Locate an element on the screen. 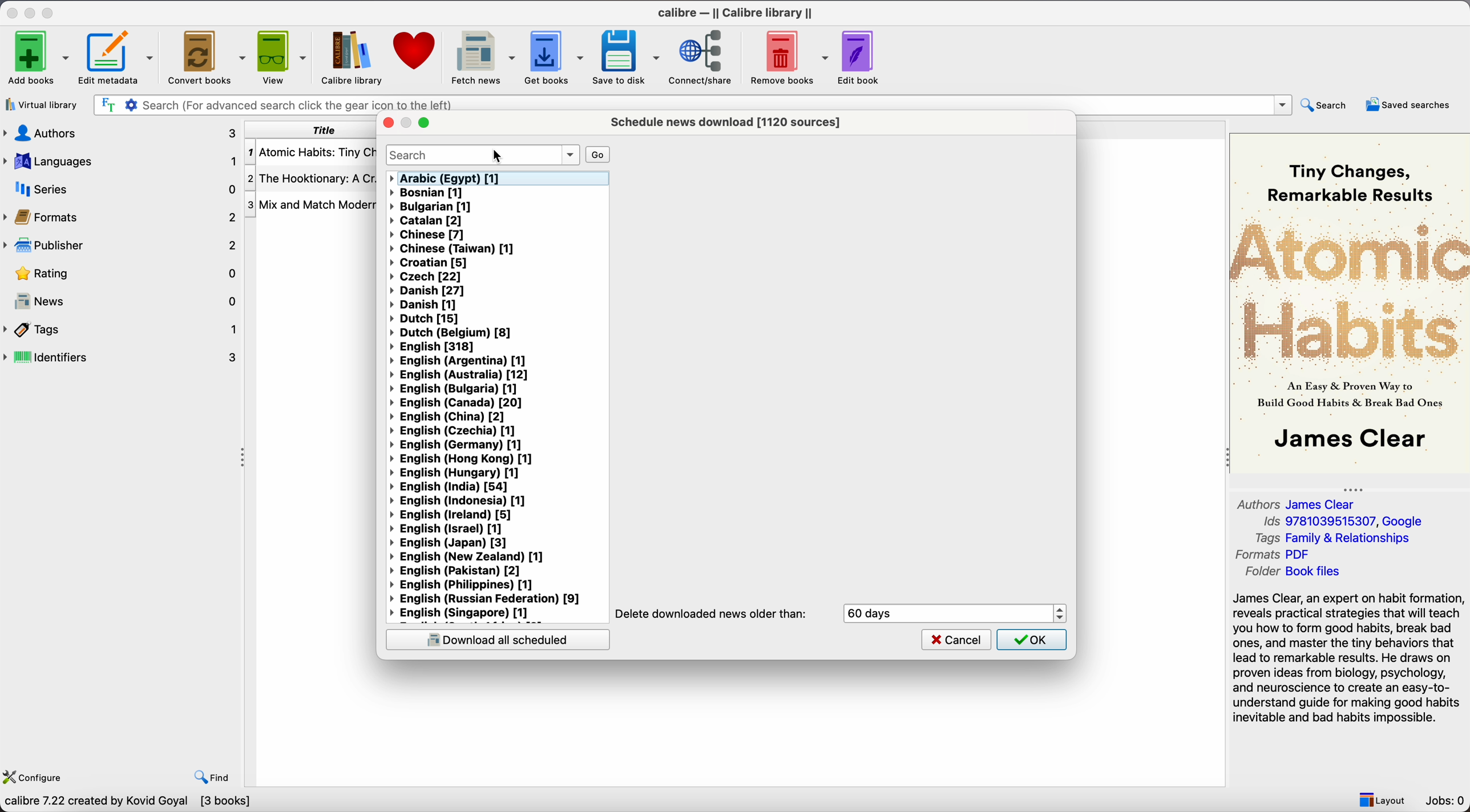 The height and width of the screenshot is (812, 1470). clibre 7.22 created by kovid Goyal [3 books] is located at coordinates (127, 803).